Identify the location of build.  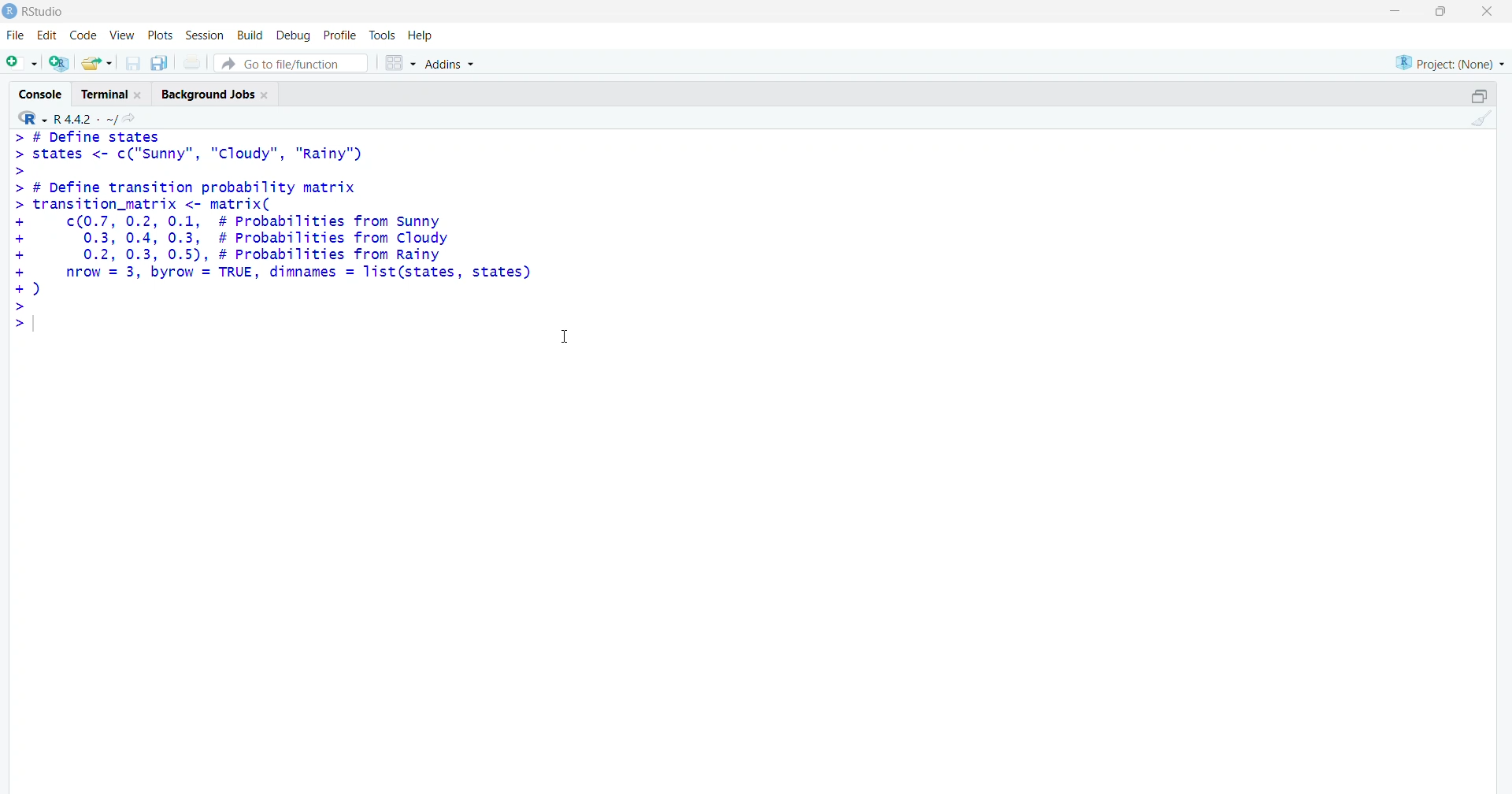
(250, 35).